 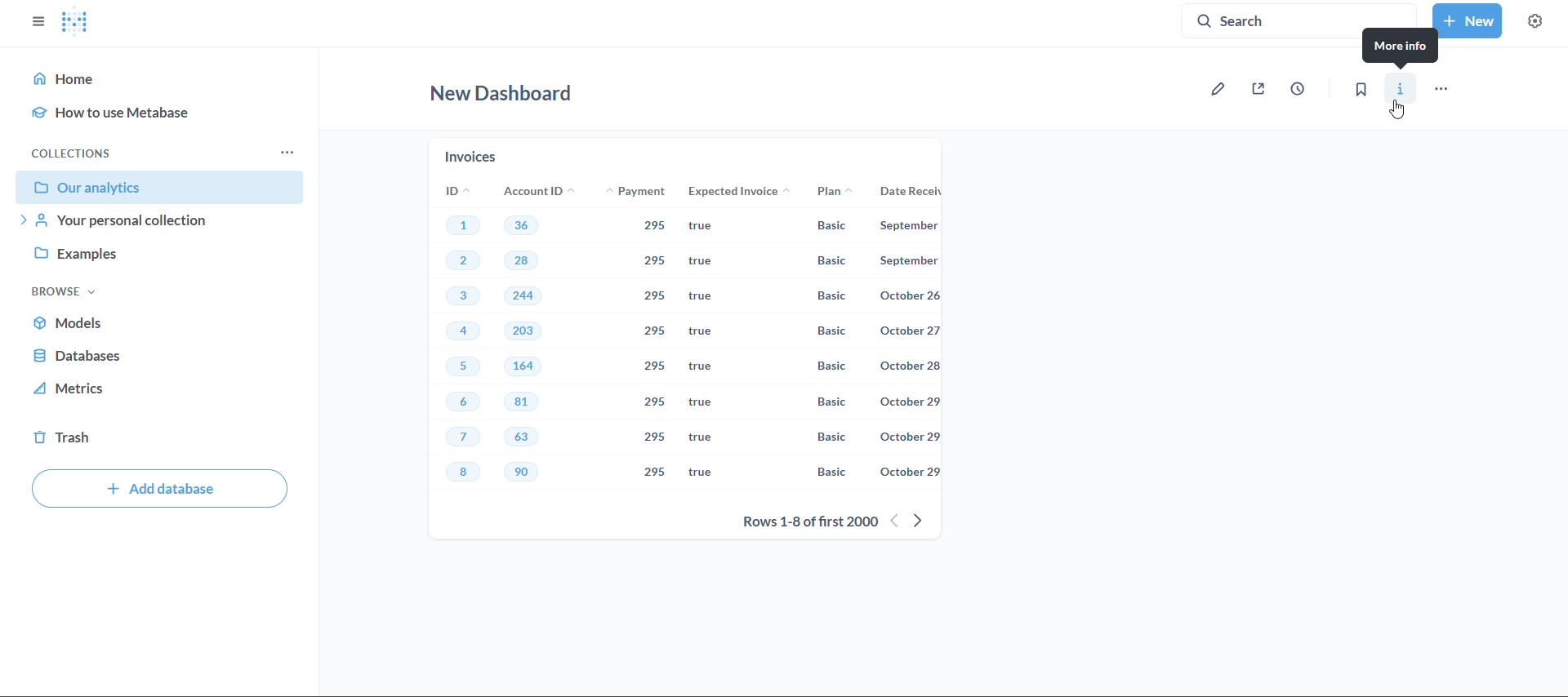 I want to click on Basic, so click(x=830, y=226).